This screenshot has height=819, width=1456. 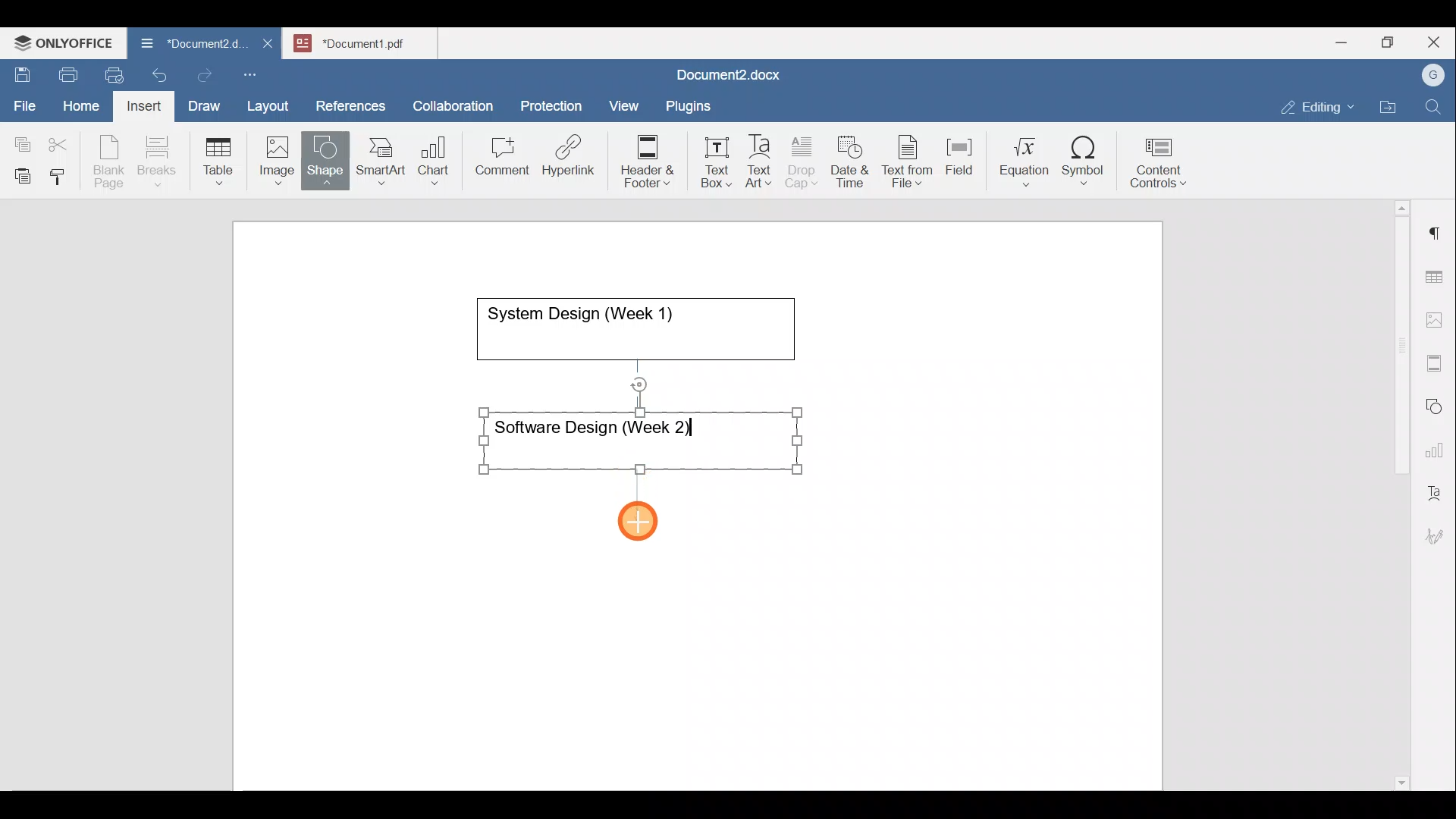 What do you see at coordinates (185, 45) in the screenshot?
I see `Document name` at bounding box center [185, 45].